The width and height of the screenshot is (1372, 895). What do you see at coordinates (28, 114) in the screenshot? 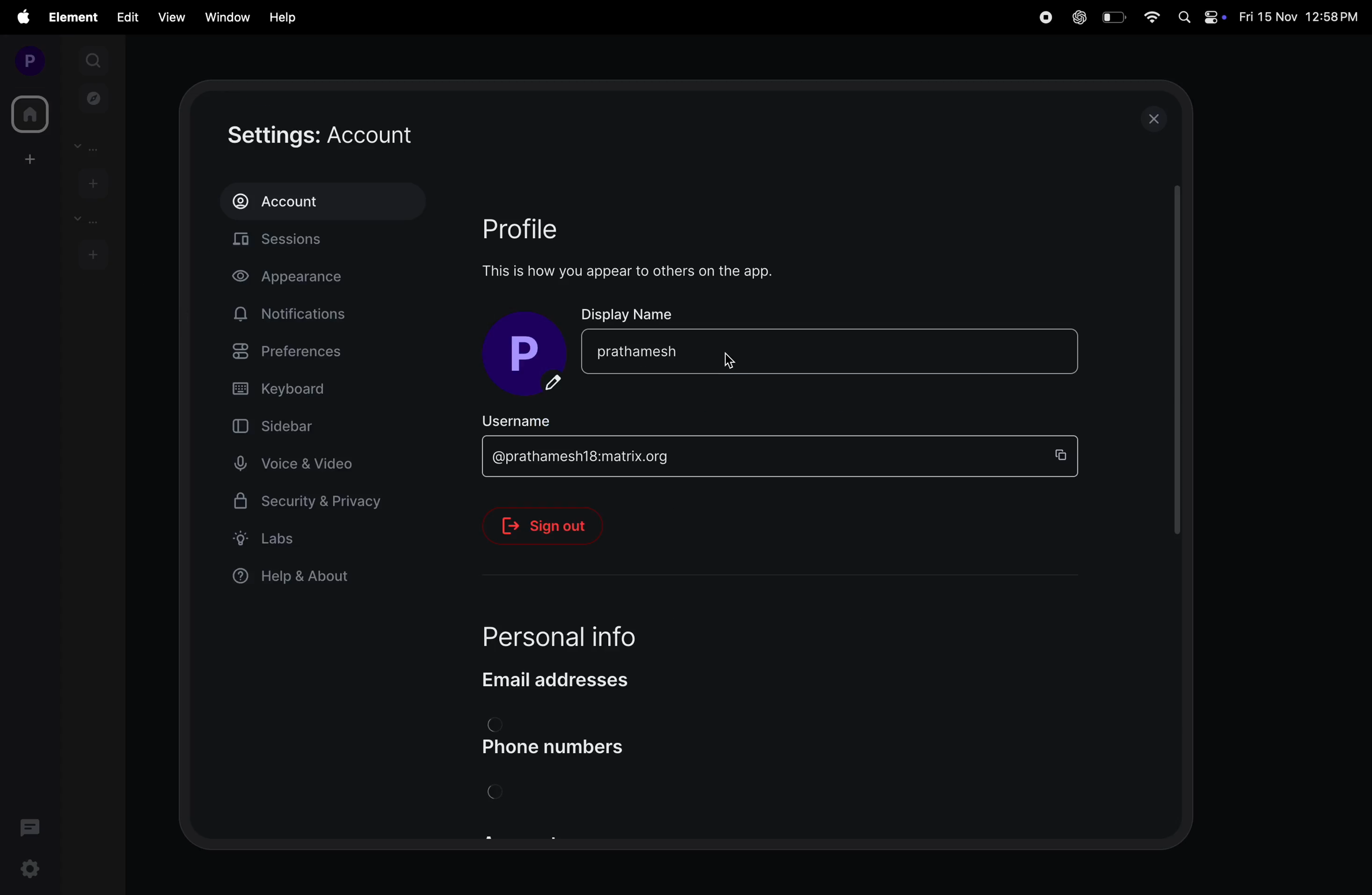
I see `home` at bounding box center [28, 114].